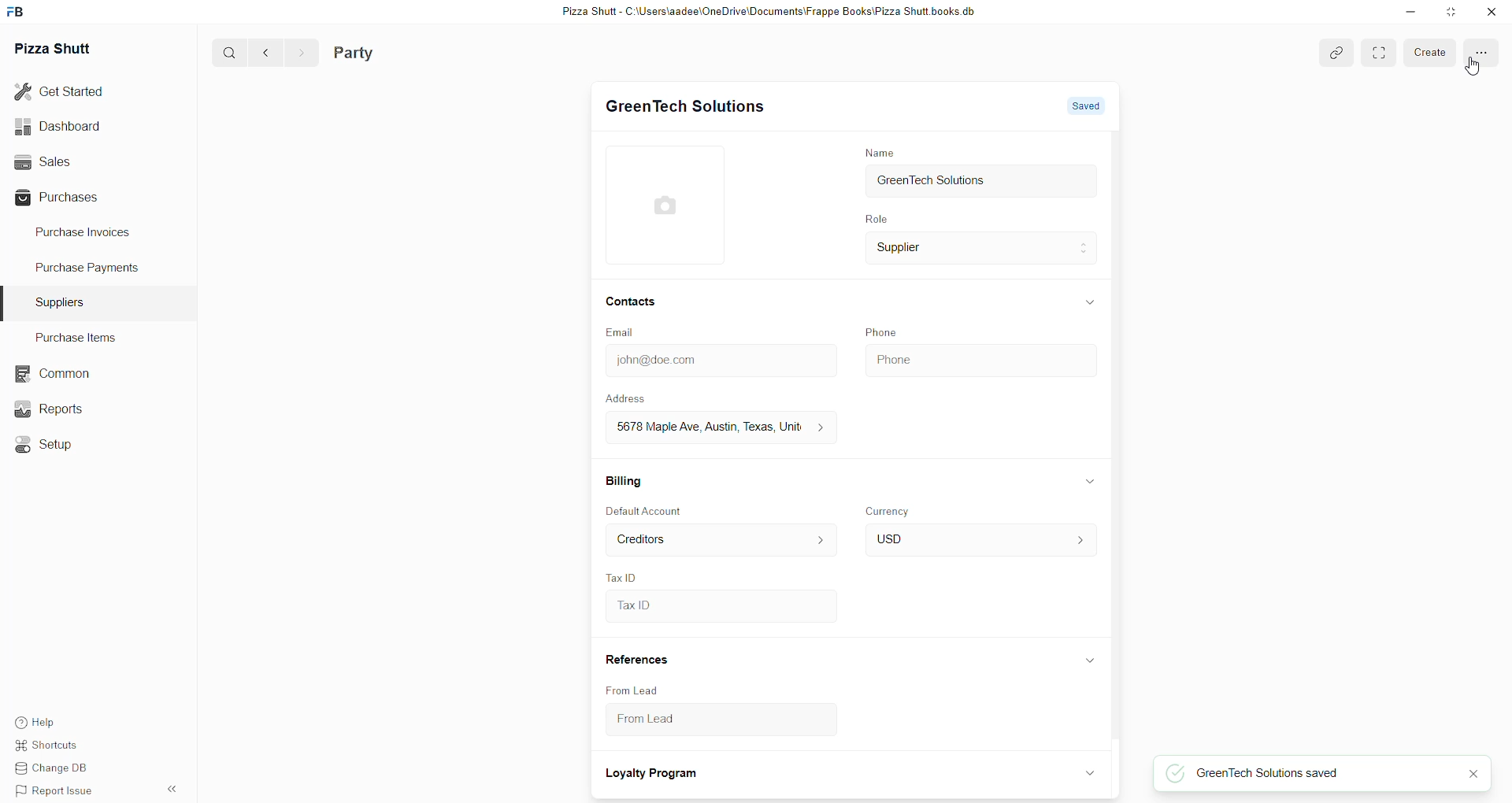 This screenshot has height=803, width=1512. I want to click on ‘Common, so click(51, 372).